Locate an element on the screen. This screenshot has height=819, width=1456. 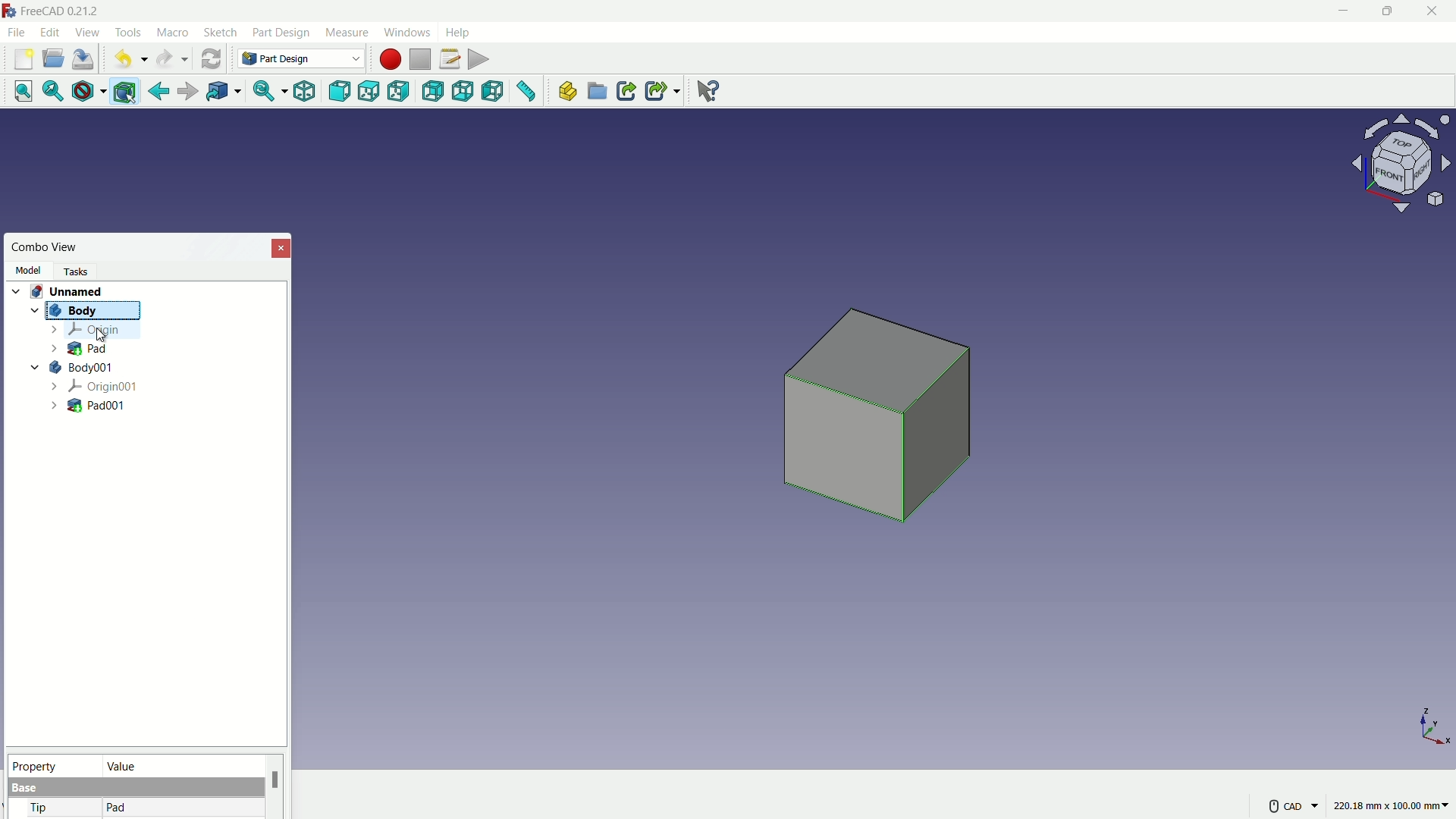
create part is located at coordinates (566, 92).